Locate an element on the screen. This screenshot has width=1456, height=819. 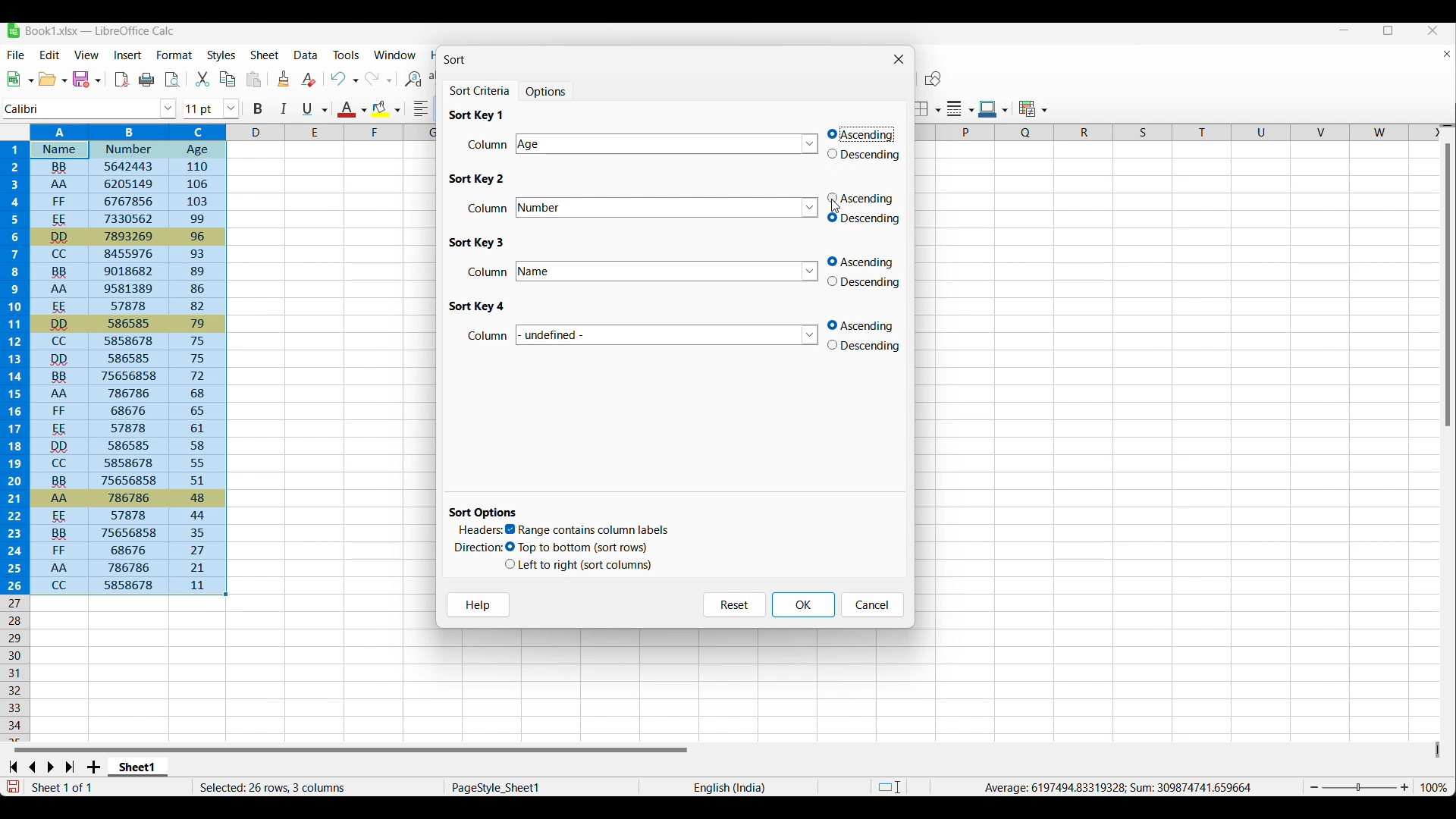
Help is located at coordinates (479, 604).